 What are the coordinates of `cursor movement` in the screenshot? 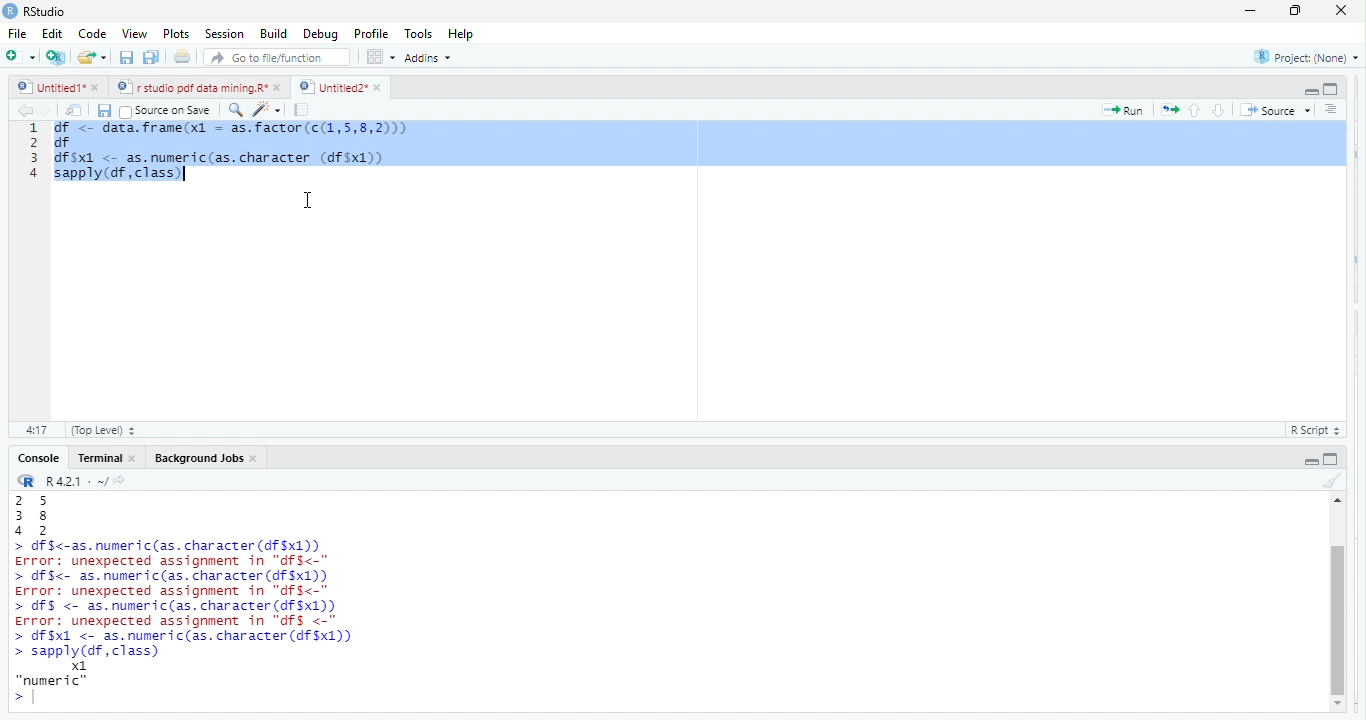 It's located at (313, 200).